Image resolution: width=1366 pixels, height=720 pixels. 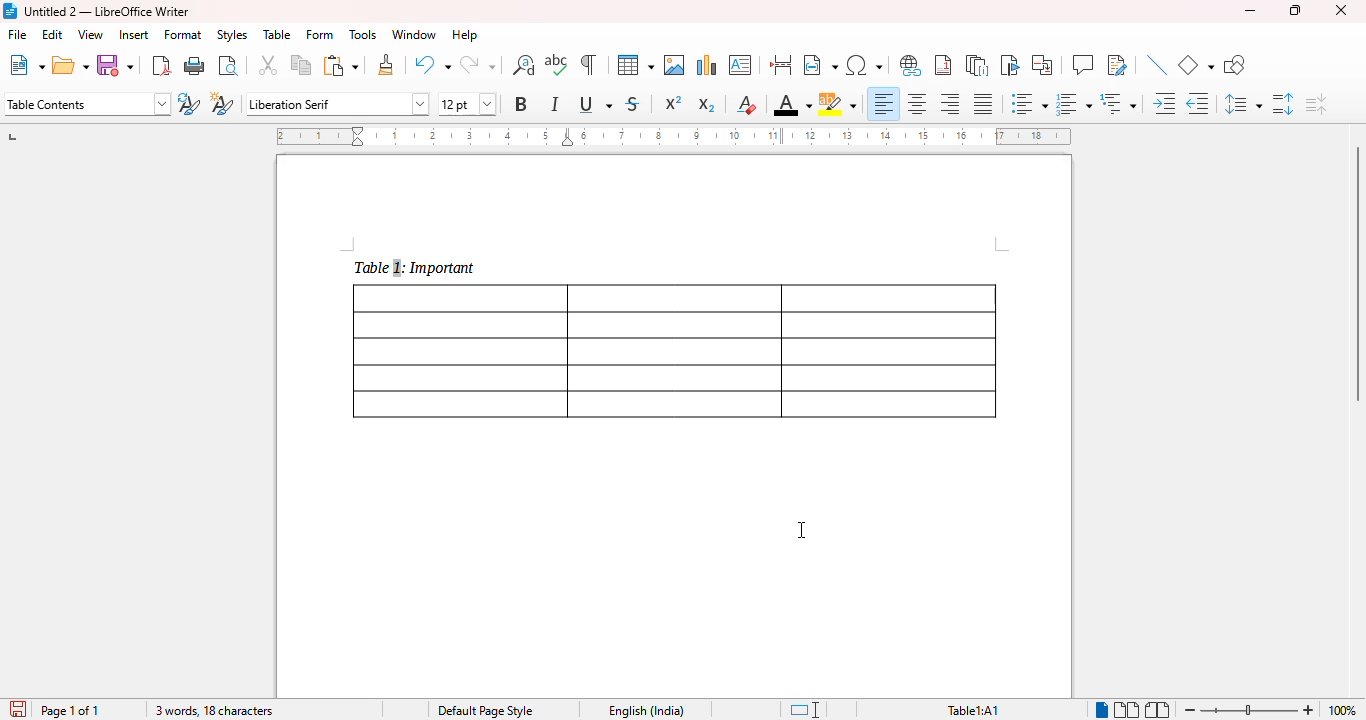 I want to click on zoom in, so click(x=1310, y=710).